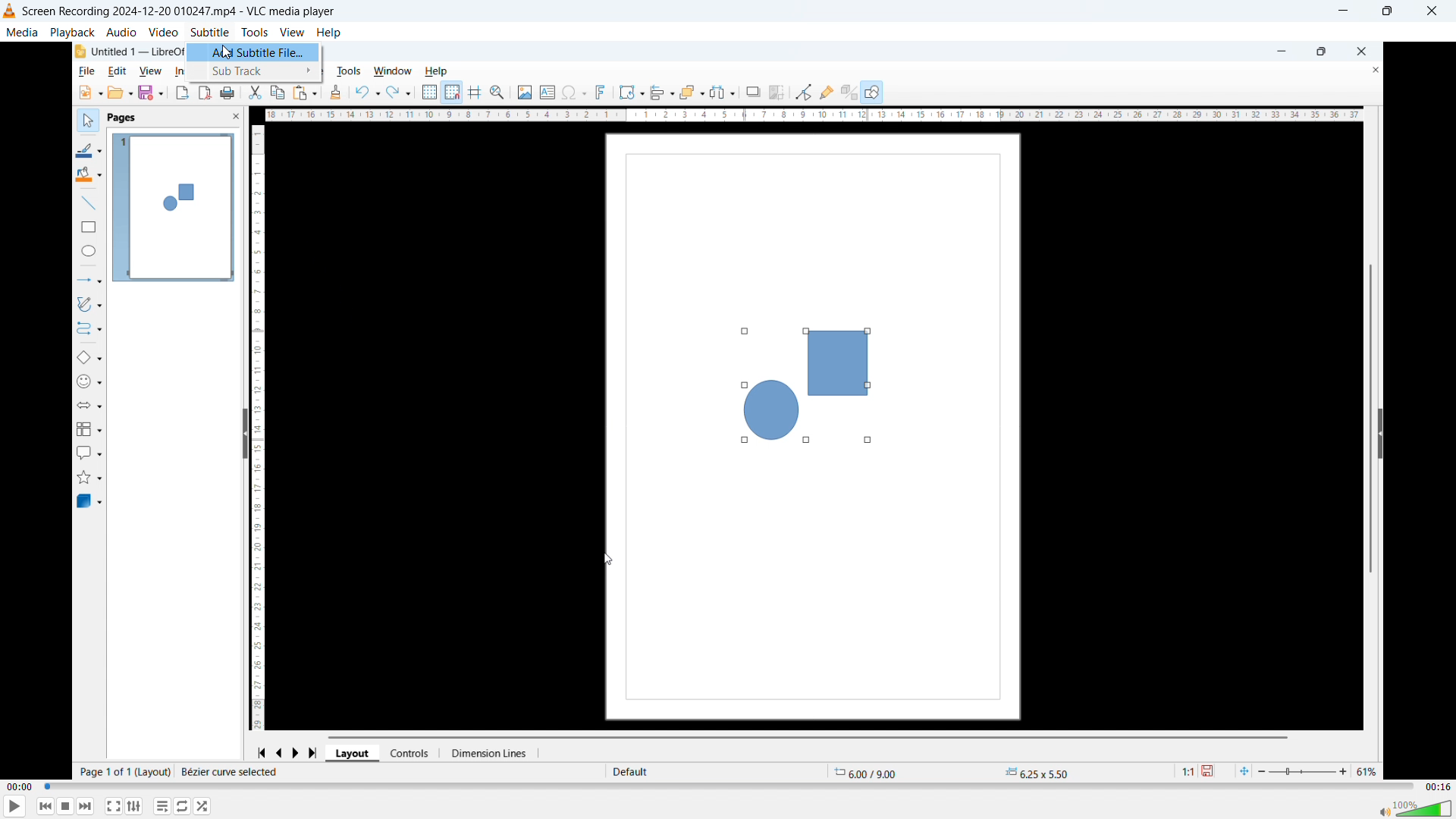 This screenshot has width=1456, height=819. I want to click on Forward or next media , so click(86, 805).